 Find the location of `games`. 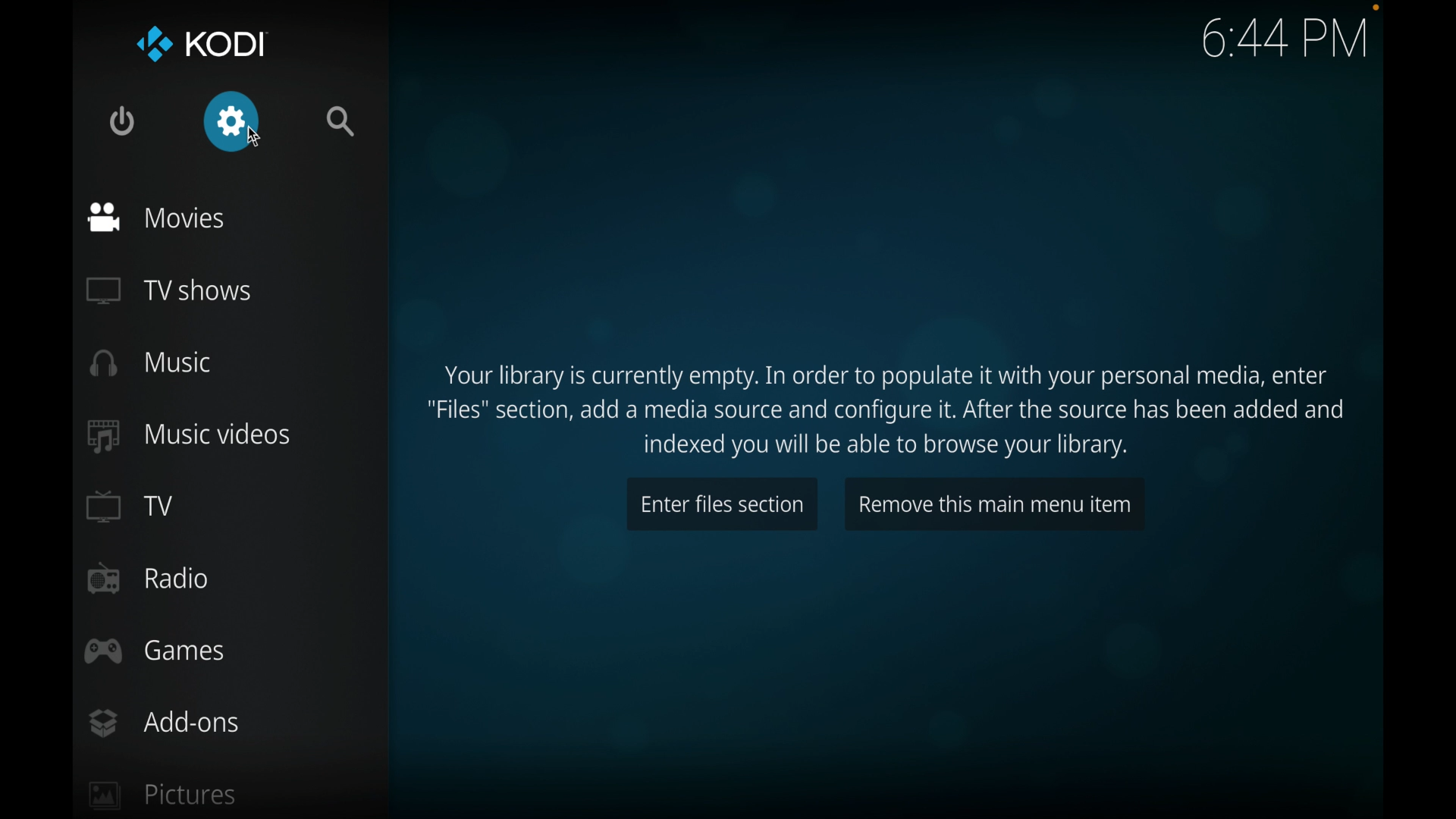

games is located at coordinates (158, 650).